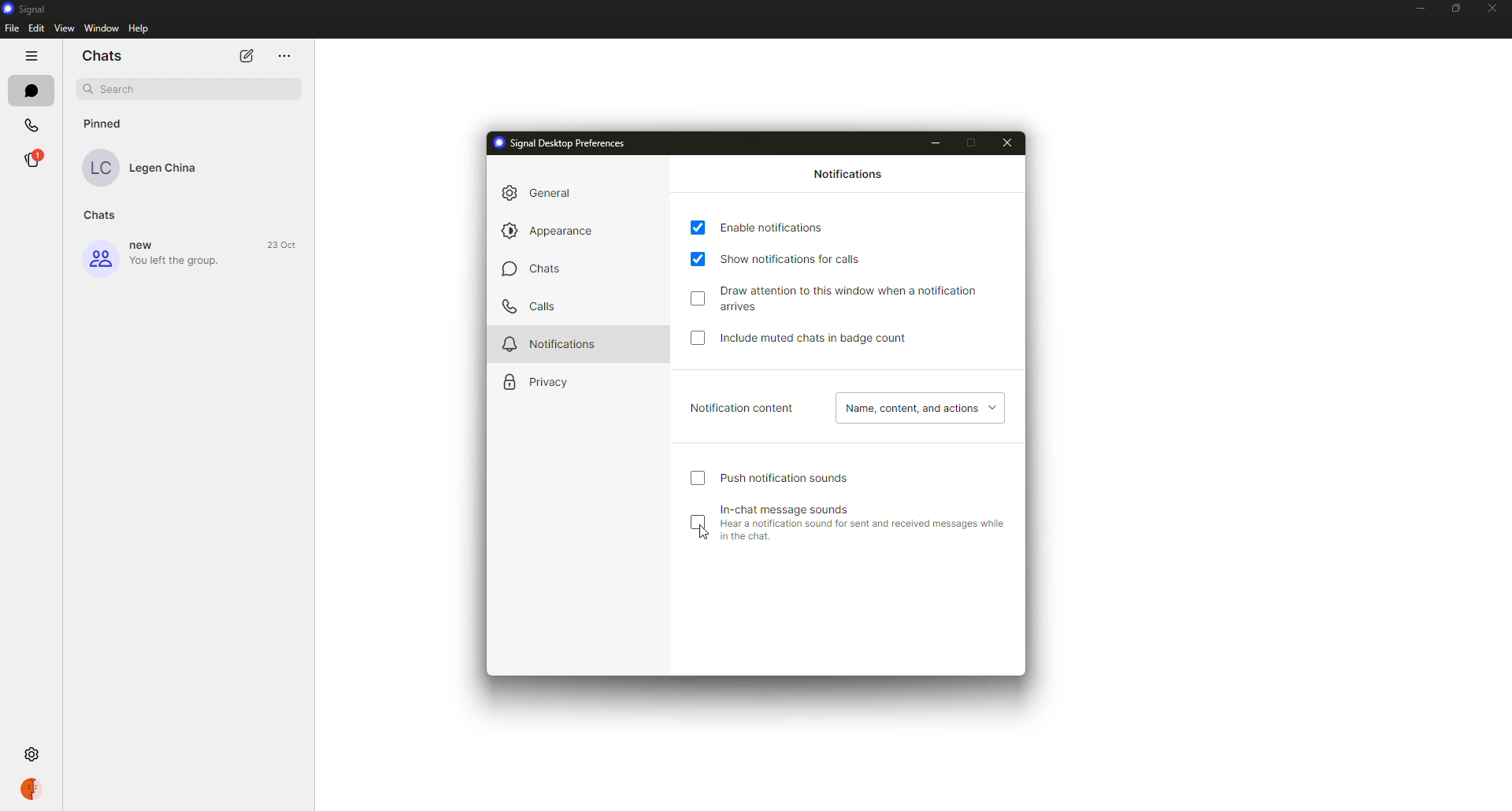  I want to click on menu, so click(284, 56).